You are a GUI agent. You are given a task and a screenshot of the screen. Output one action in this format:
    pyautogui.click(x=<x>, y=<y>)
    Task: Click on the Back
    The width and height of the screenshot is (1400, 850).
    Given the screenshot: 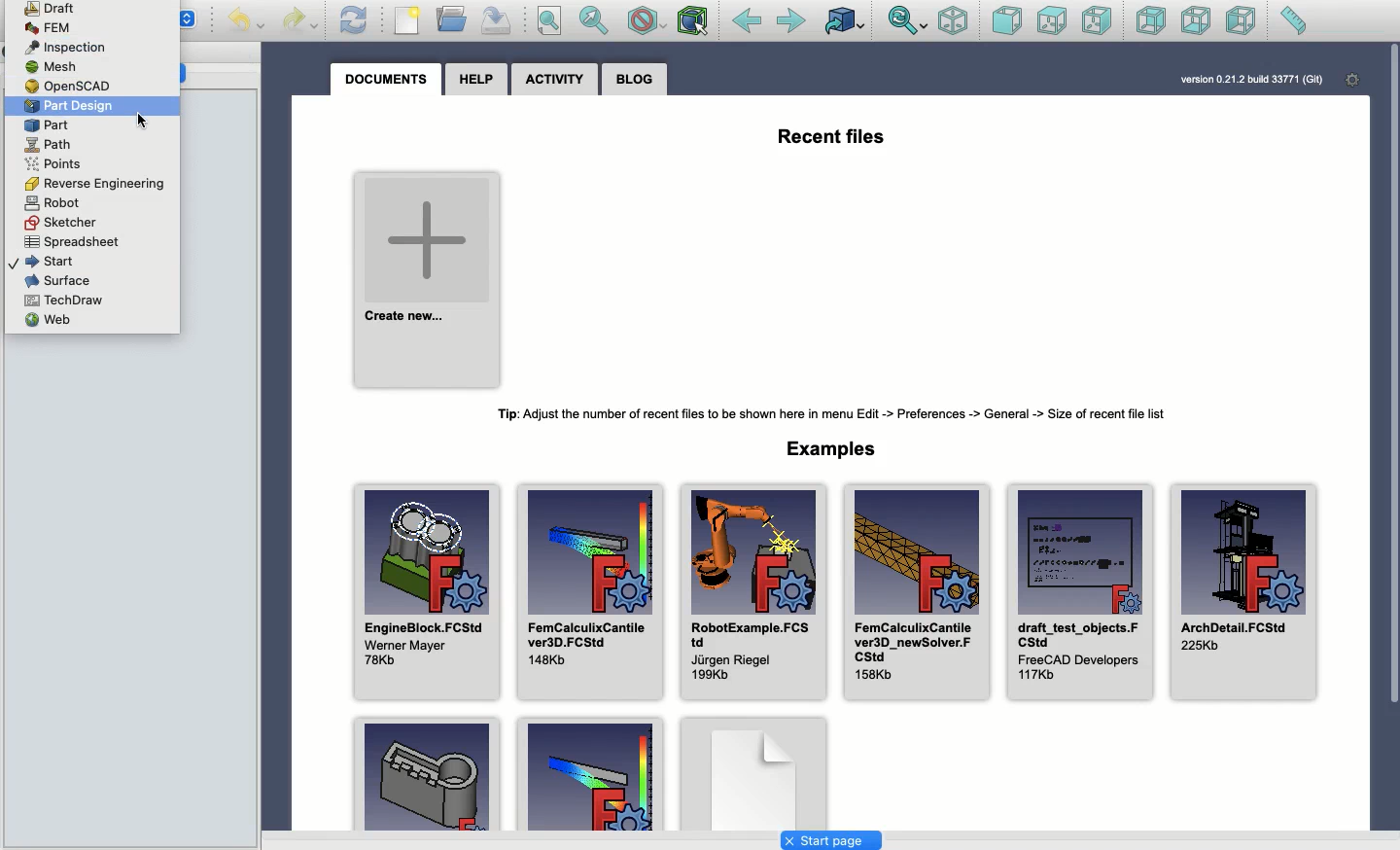 What is the action you would take?
    pyautogui.click(x=748, y=21)
    